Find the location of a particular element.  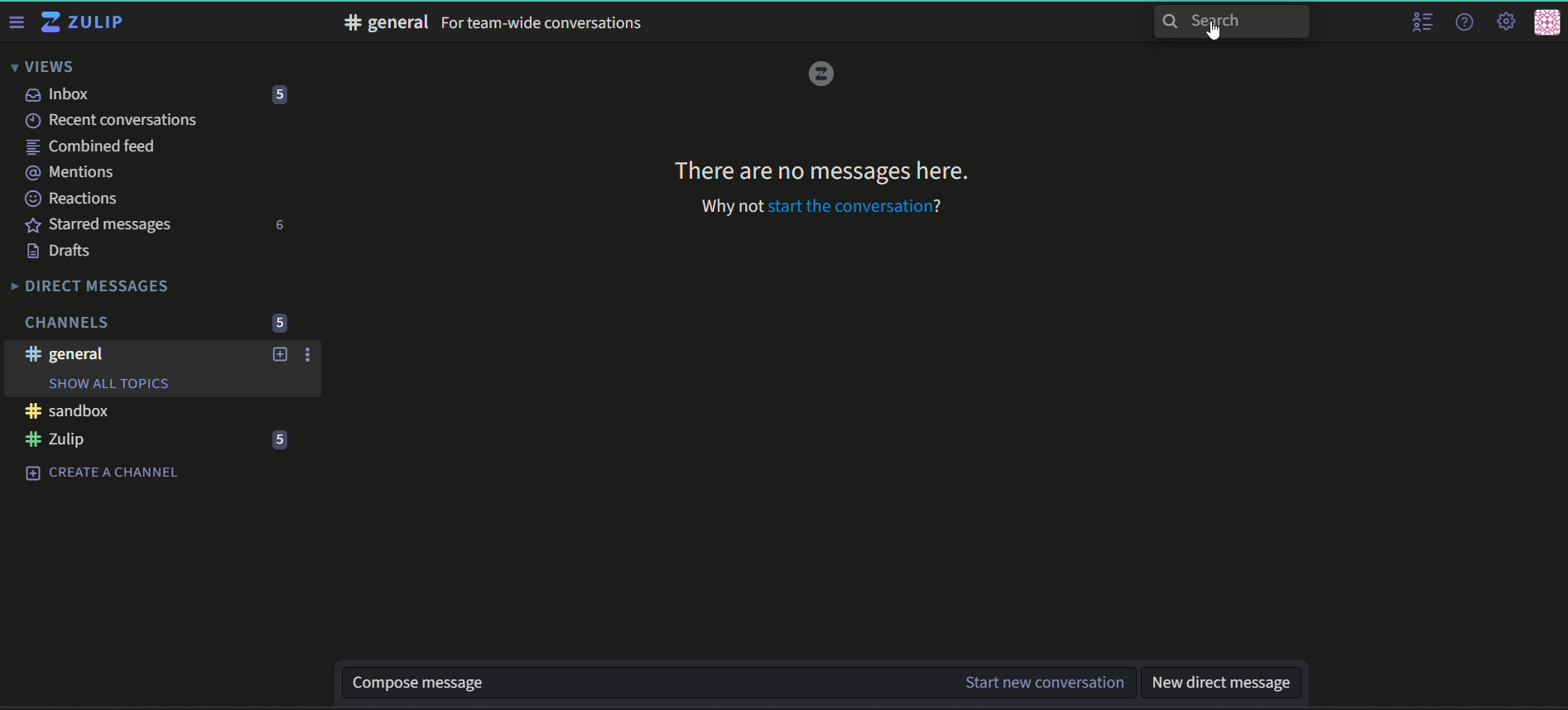

logo is located at coordinates (823, 74).